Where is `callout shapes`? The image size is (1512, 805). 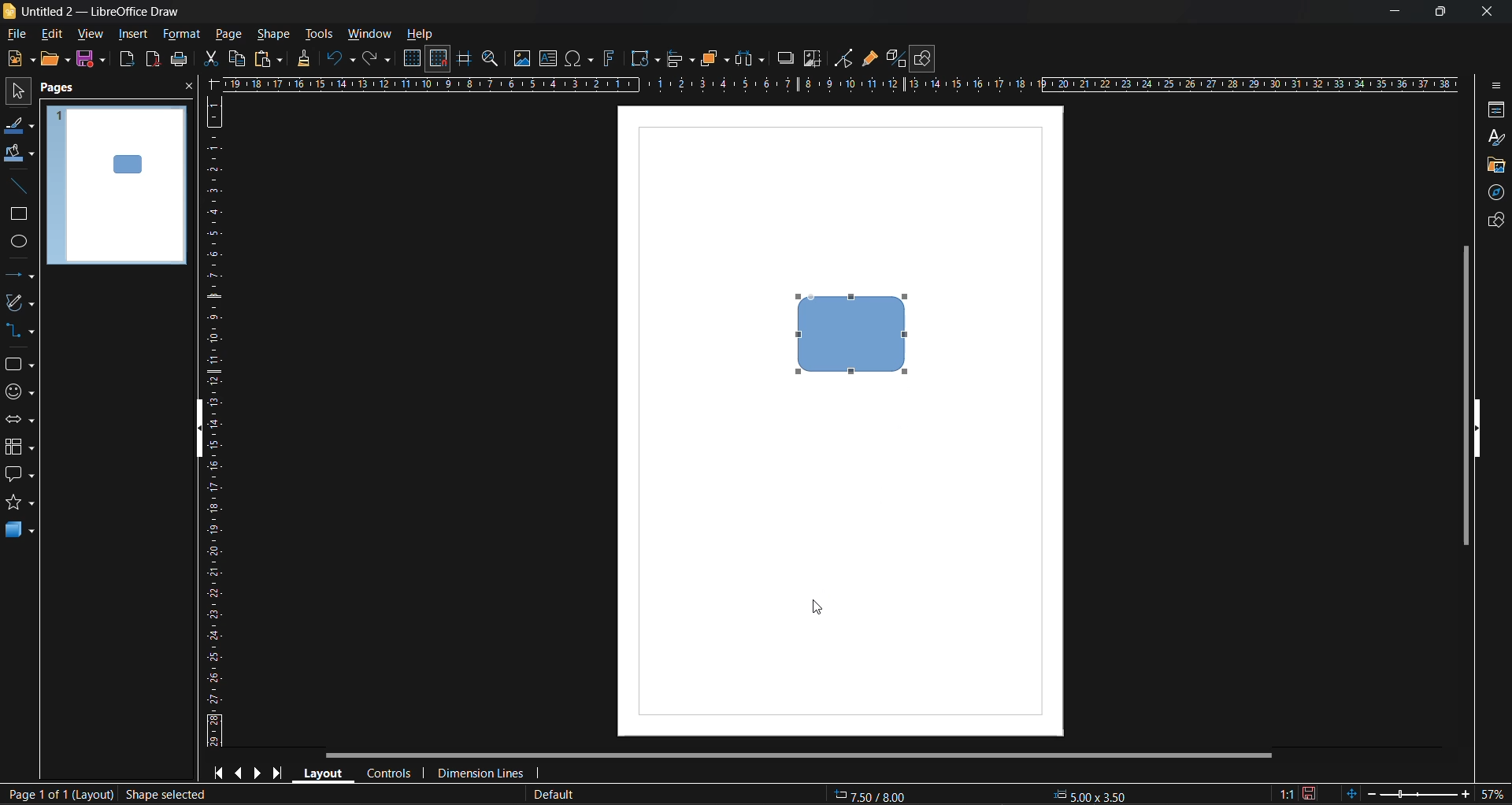
callout shapes is located at coordinates (19, 474).